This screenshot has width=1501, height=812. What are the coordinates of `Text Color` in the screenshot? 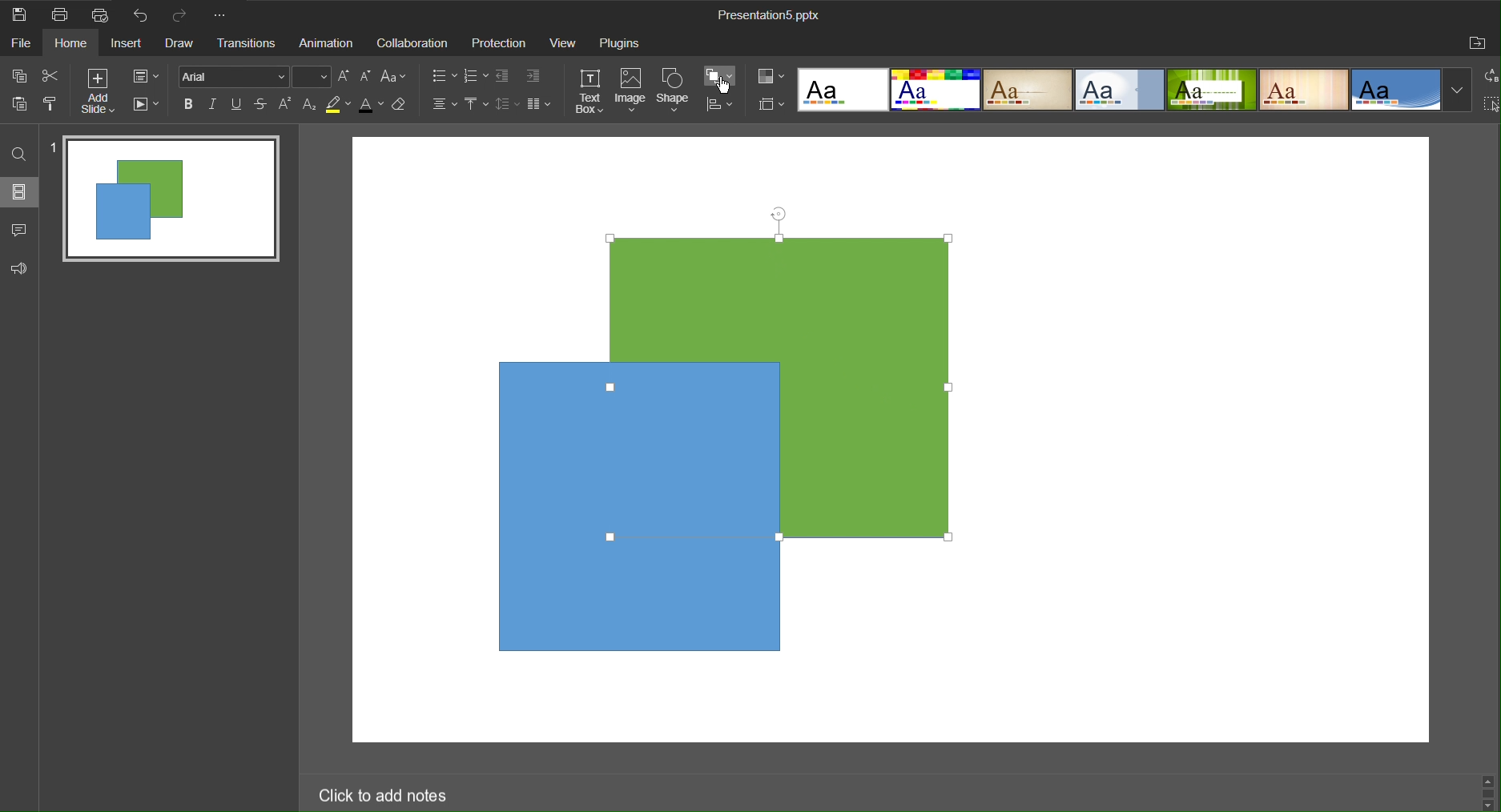 It's located at (372, 105).